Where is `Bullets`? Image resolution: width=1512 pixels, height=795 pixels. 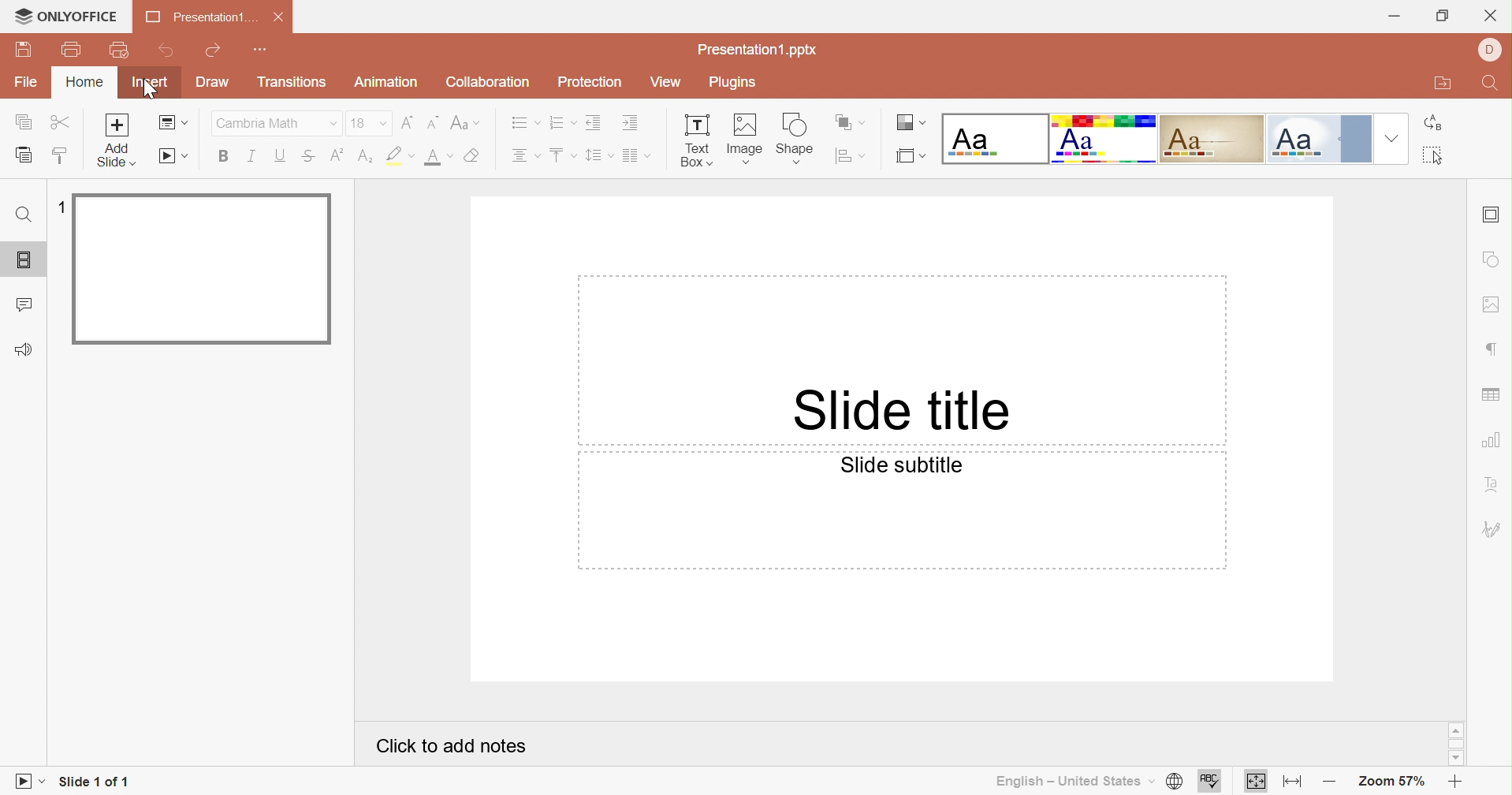
Bullets is located at coordinates (522, 124).